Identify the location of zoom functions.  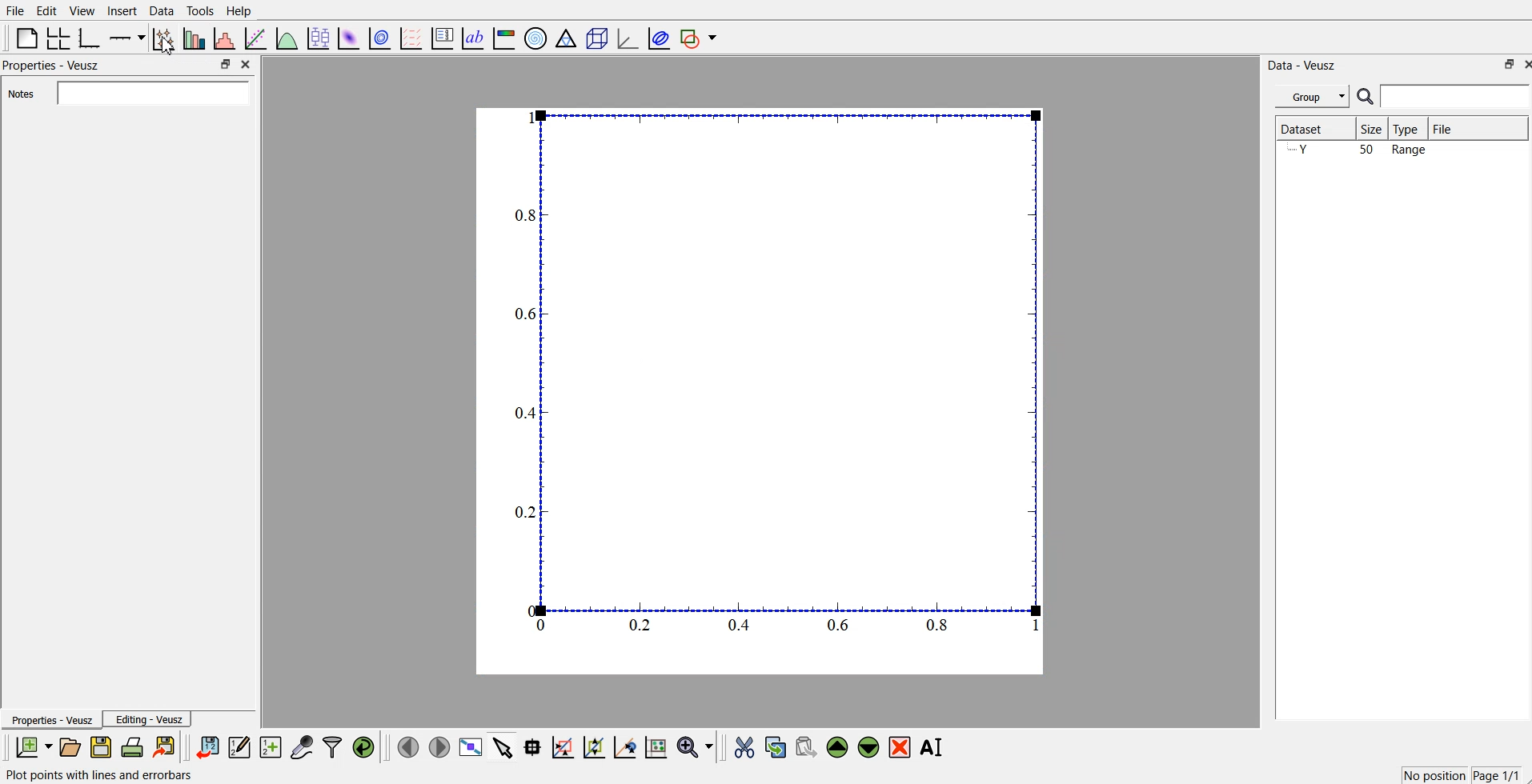
(696, 746).